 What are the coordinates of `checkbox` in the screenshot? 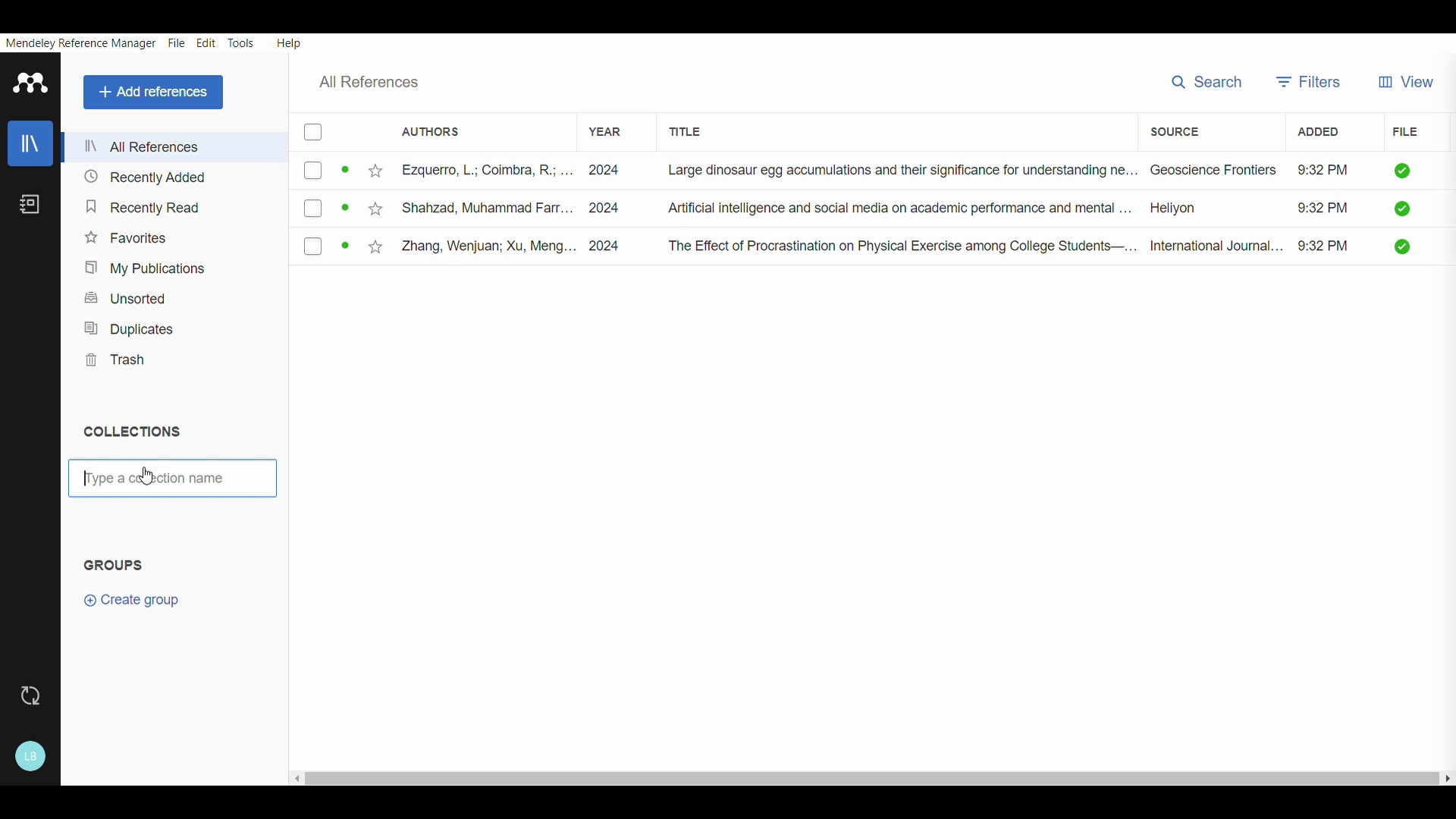 It's located at (322, 209).